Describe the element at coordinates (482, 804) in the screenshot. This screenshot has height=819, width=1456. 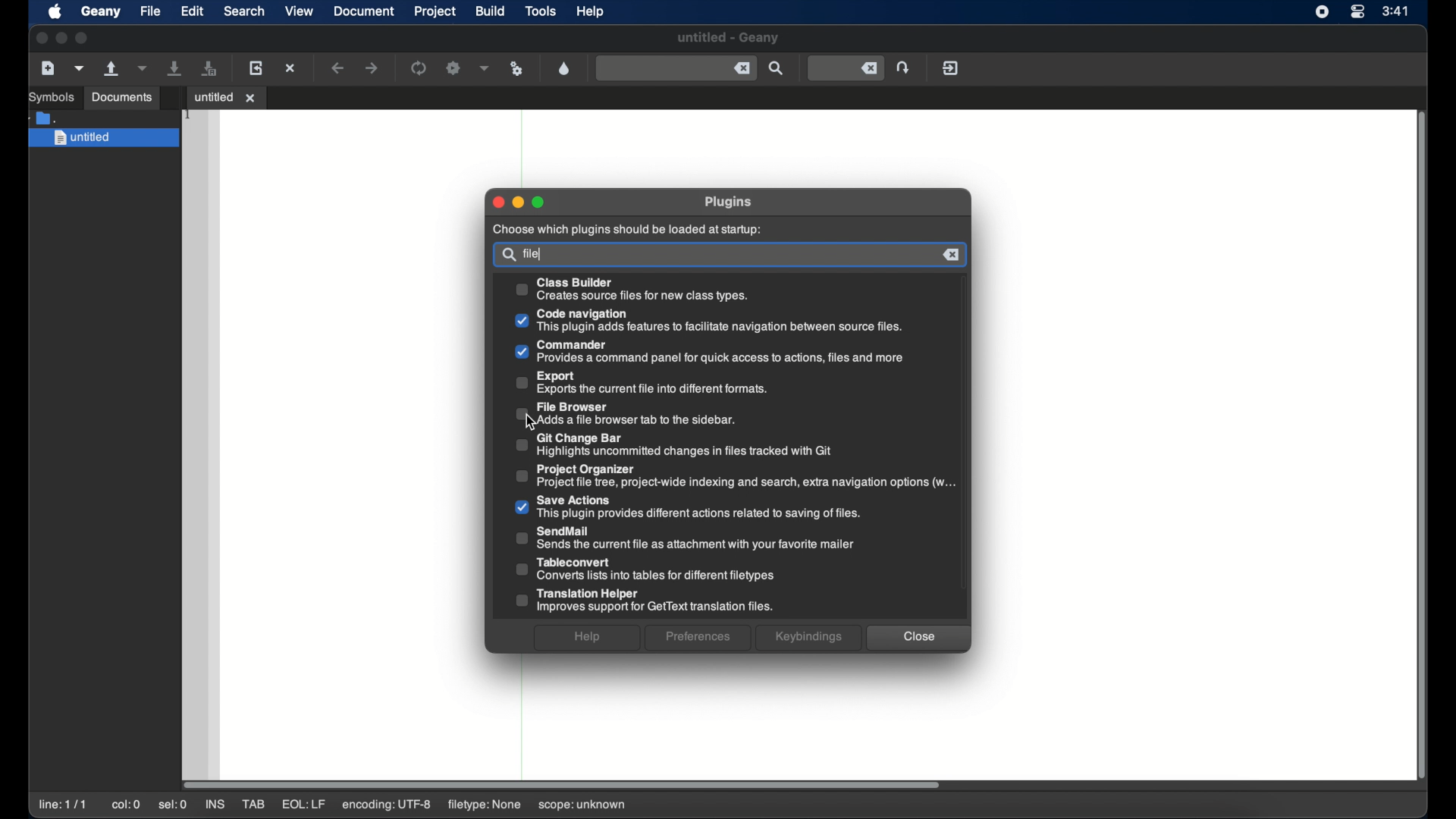
I see `filetype: none` at that location.